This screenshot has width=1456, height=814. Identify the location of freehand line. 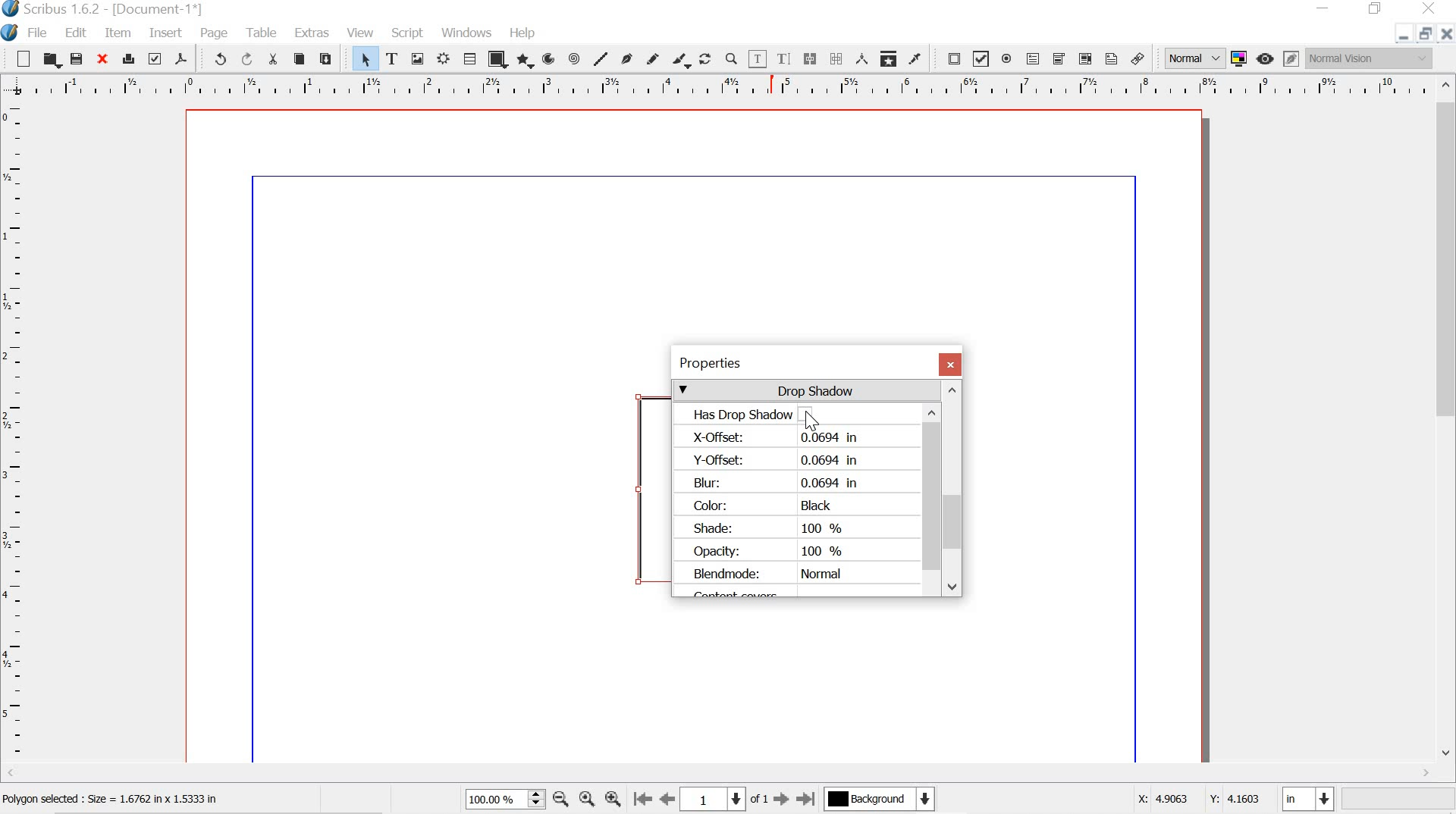
(654, 59).